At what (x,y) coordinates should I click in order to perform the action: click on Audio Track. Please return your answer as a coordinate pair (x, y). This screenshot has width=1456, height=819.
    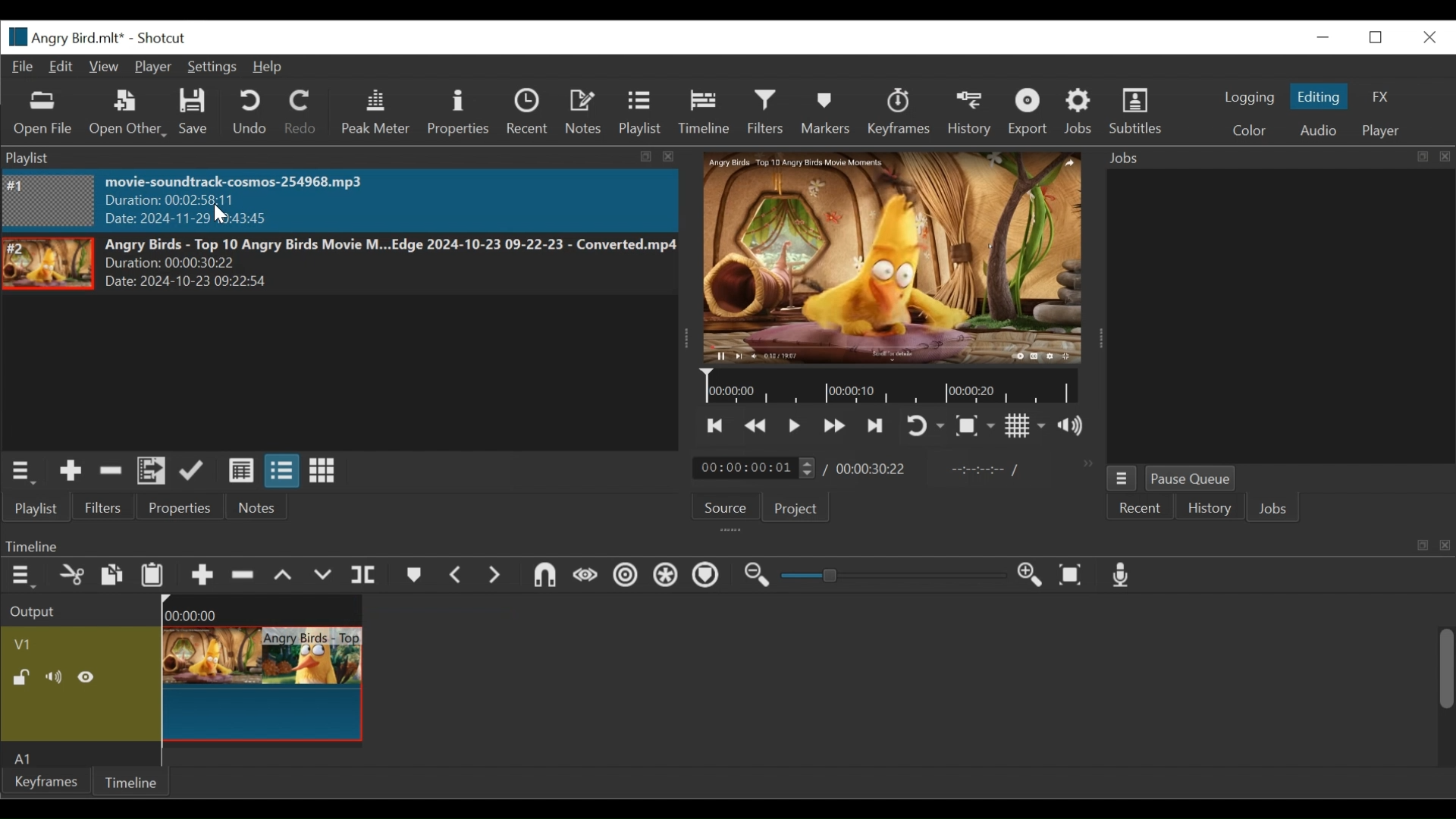
    Looking at the image, I should click on (78, 755).